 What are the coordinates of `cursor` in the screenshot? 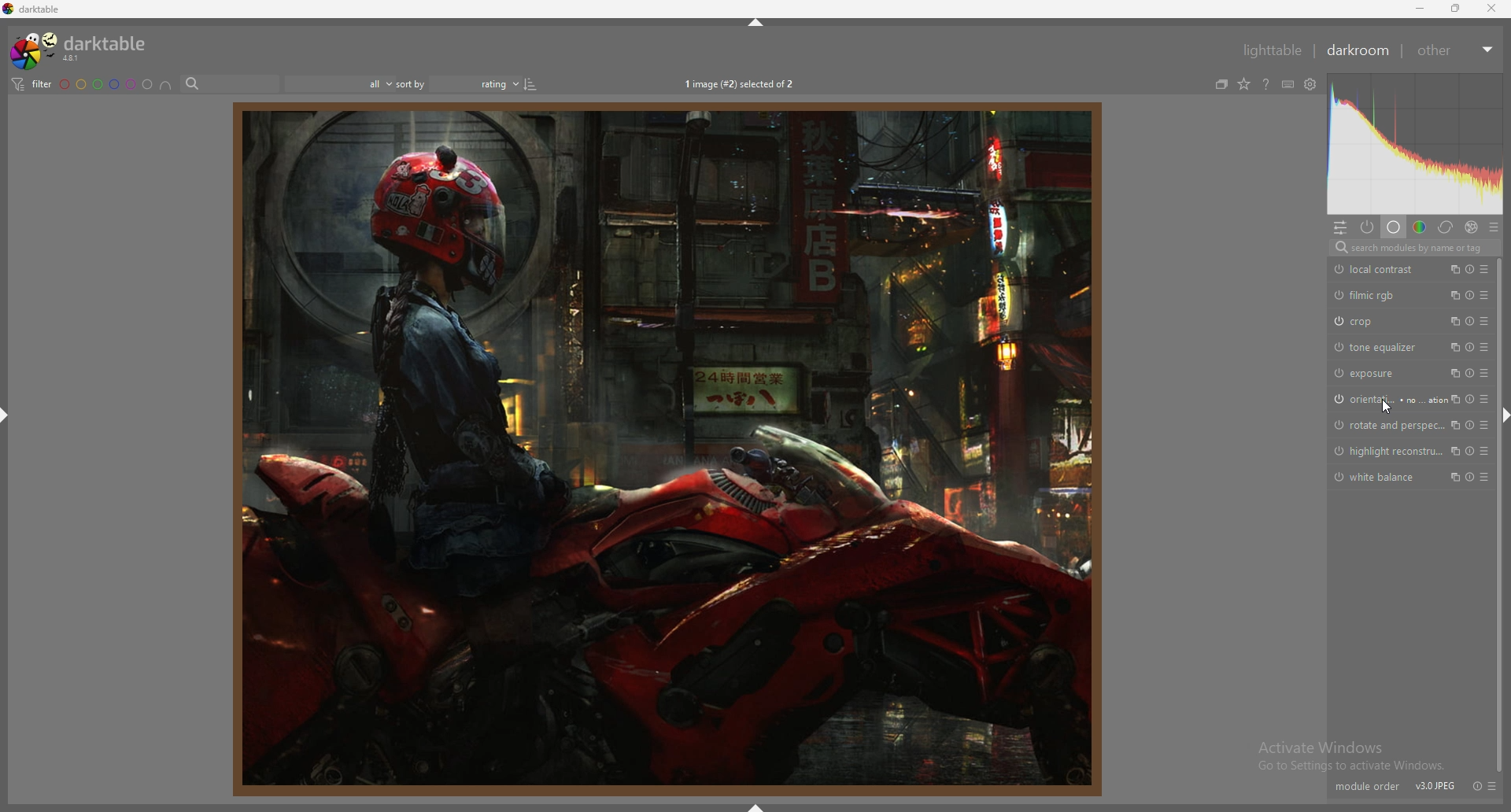 It's located at (1388, 406).